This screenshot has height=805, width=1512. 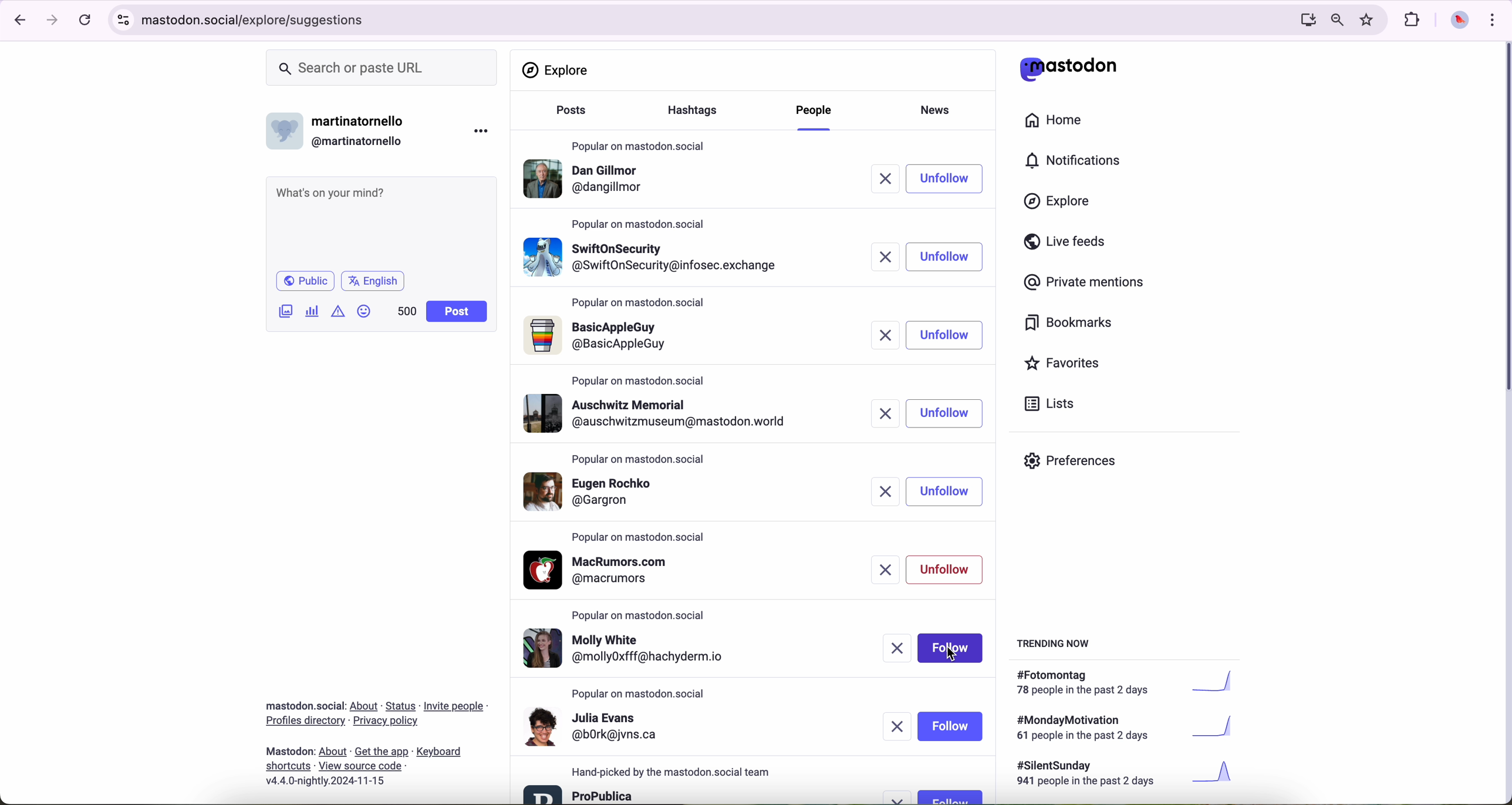 I want to click on profile, so click(x=654, y=254).